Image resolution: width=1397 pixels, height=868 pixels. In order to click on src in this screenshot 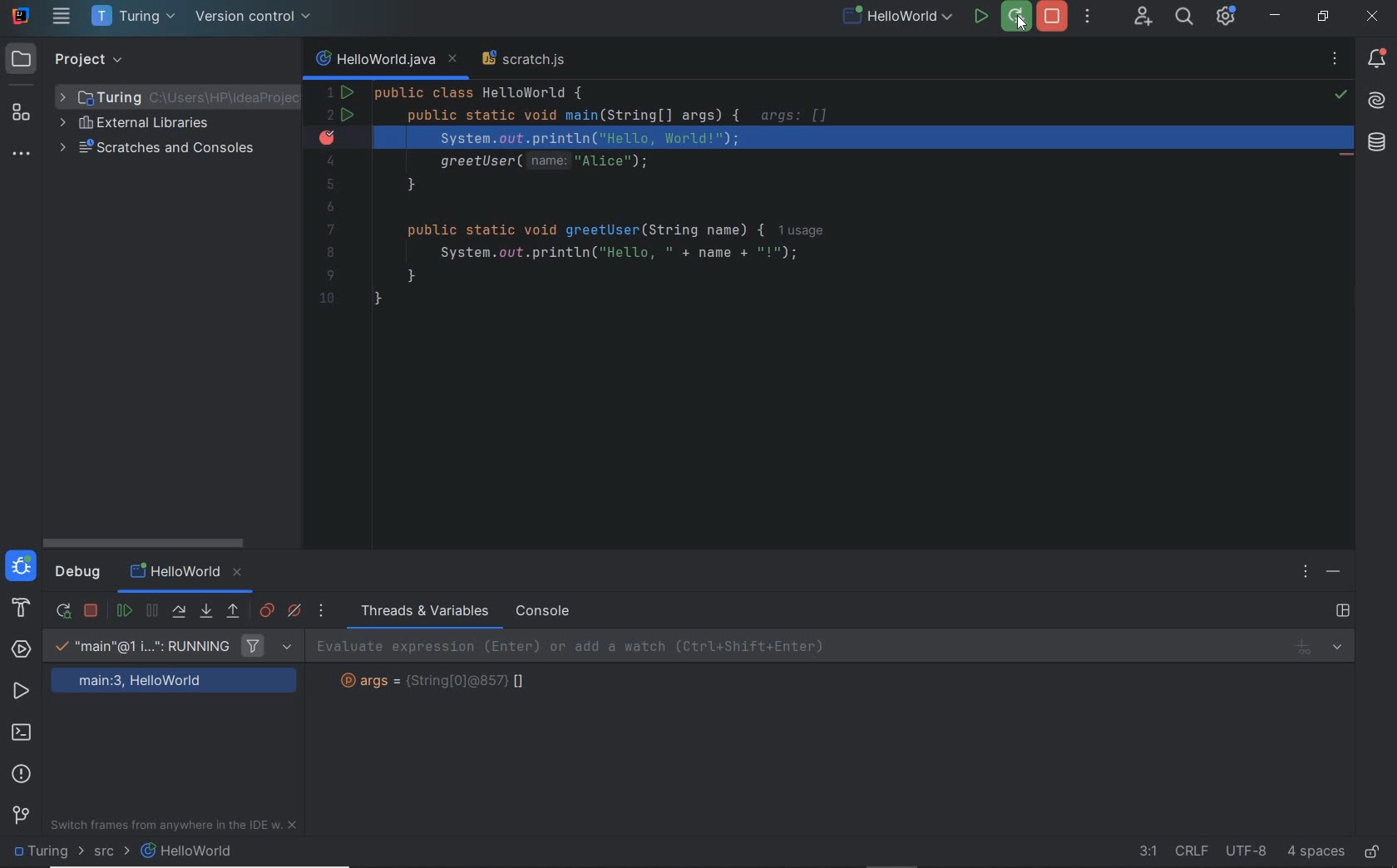, I will do `click(106, 852)`.